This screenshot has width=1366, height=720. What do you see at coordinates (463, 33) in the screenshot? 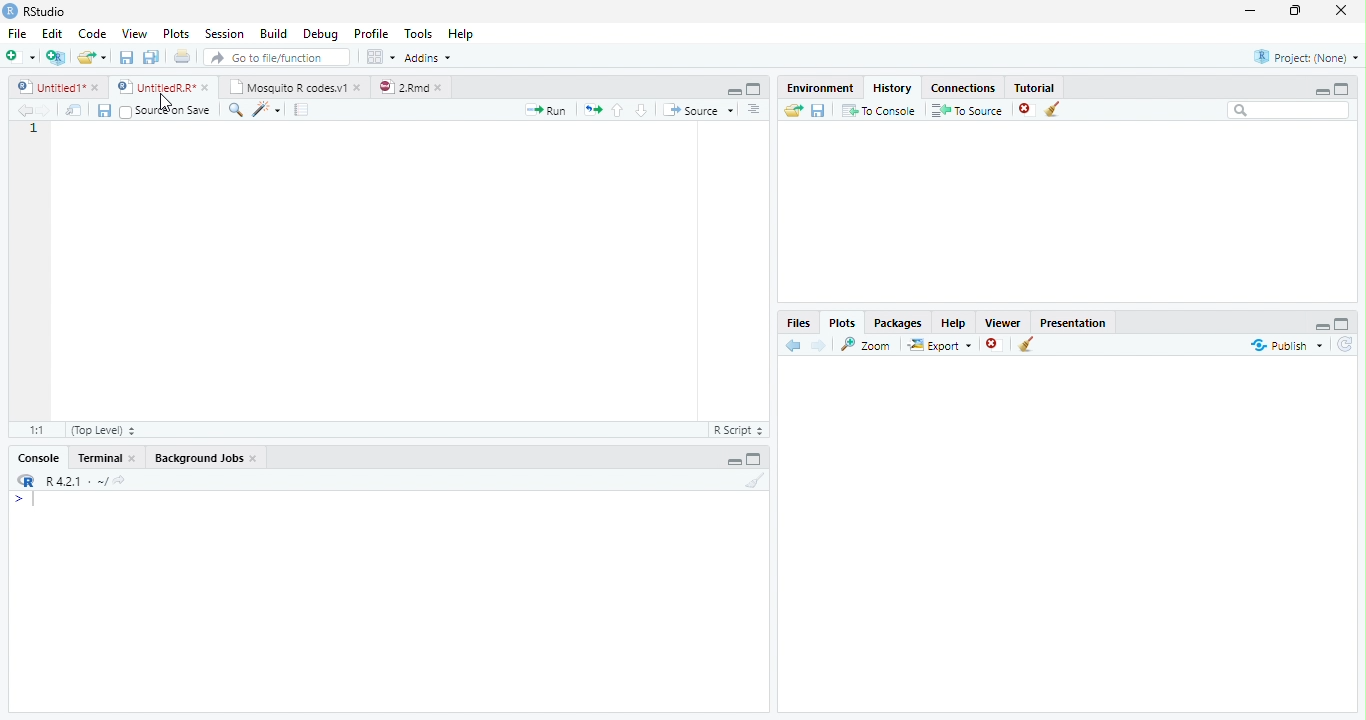
I see `Help` at bounding box center [463, 33].